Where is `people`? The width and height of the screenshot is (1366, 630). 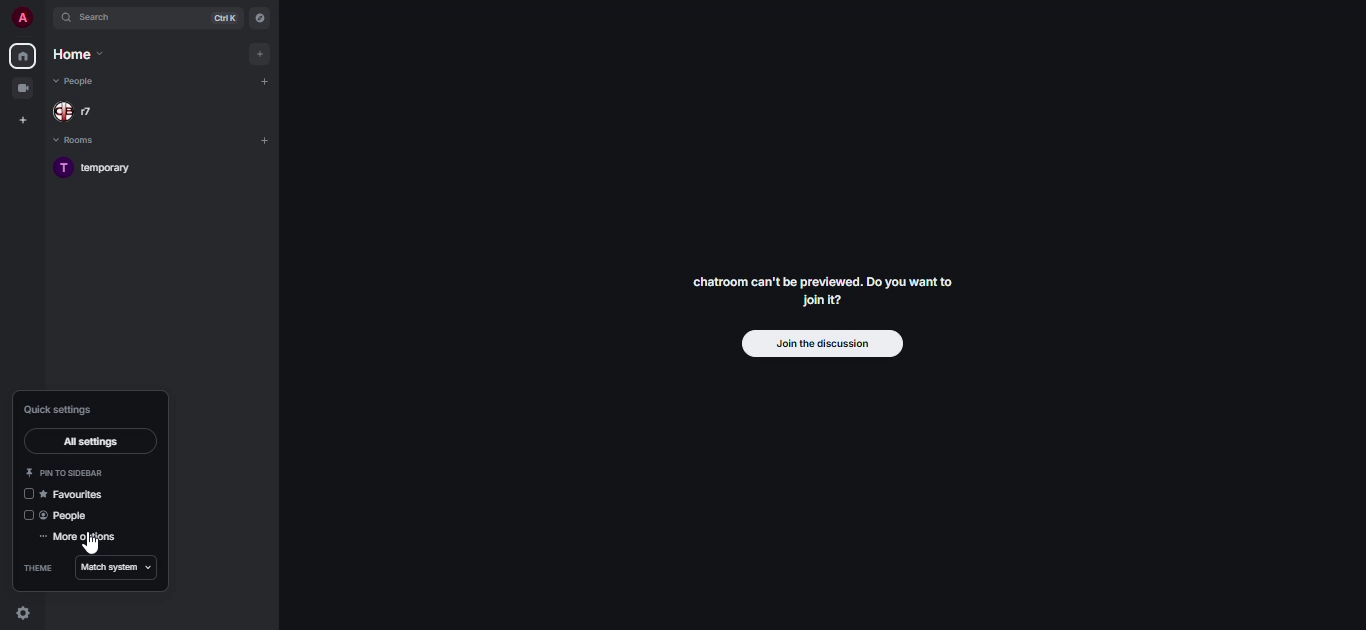 people is located at coordinates (83, 112).